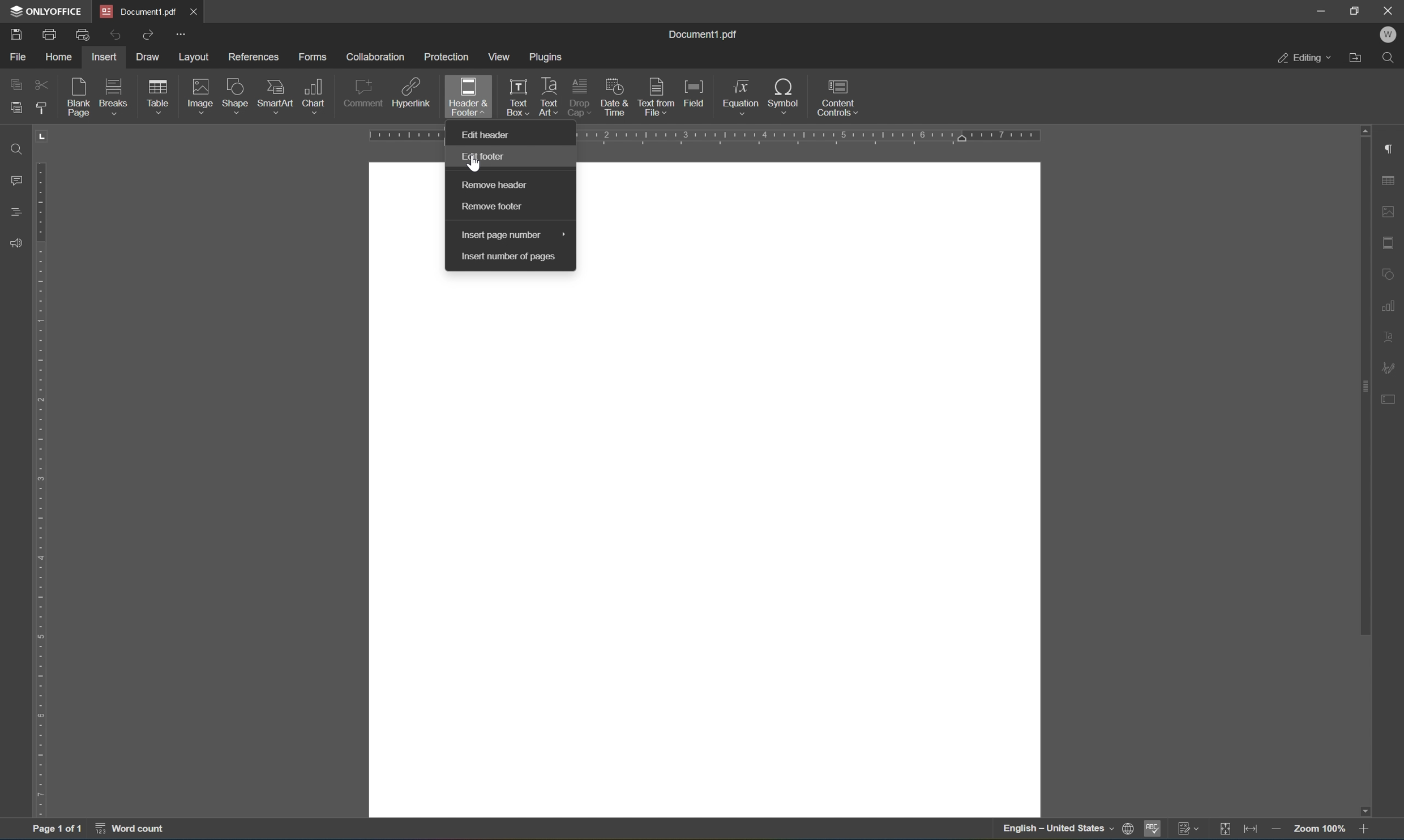 This screenshot has width=1404, height=840. Describe the element at coordinates (251, 59) in the screenshot. I see `references` at that location.